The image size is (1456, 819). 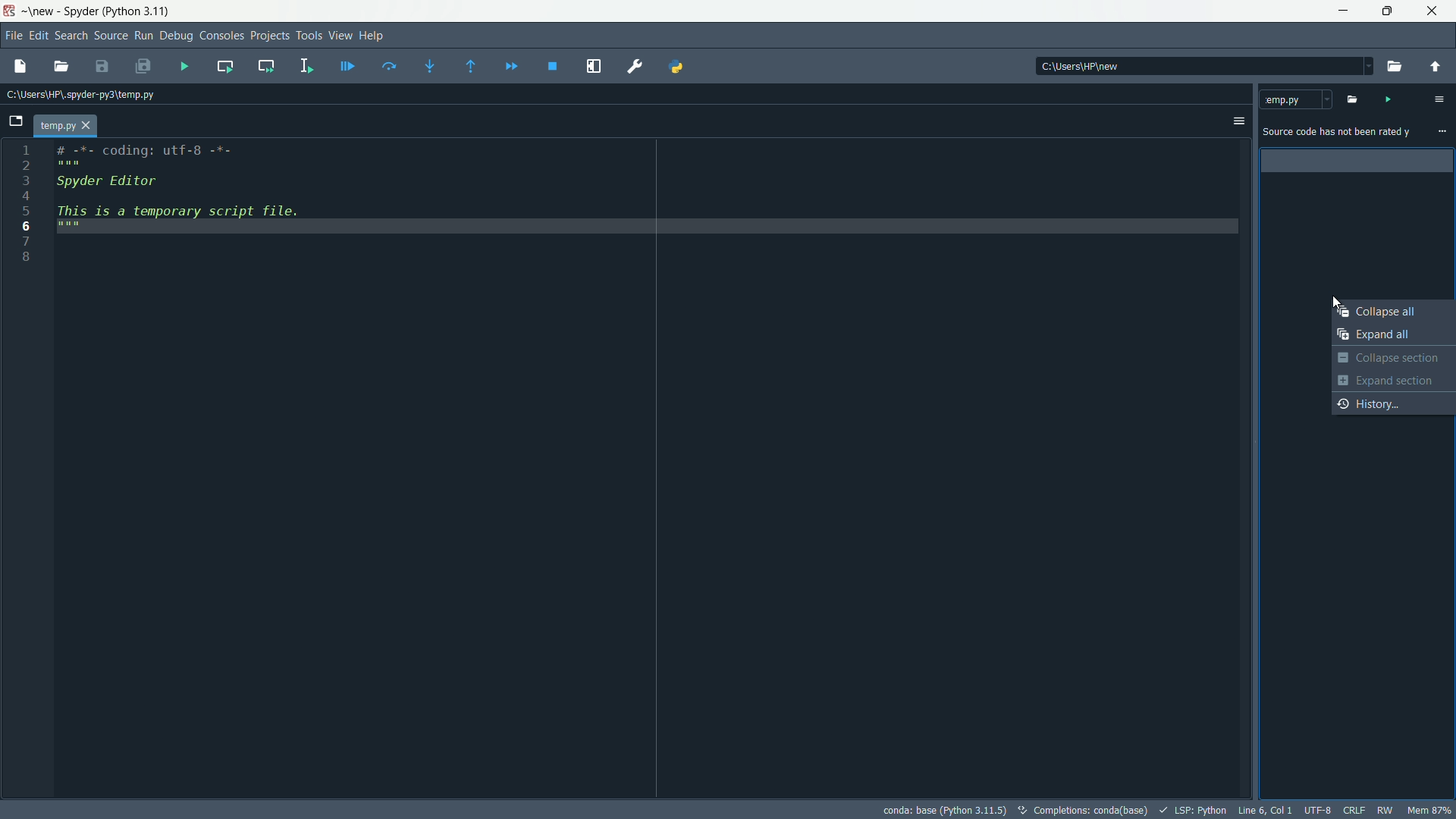 What do you see at coordinates (1336, 304) in the screenshot?
I see `cursor` at bounding box center [1336, 304].